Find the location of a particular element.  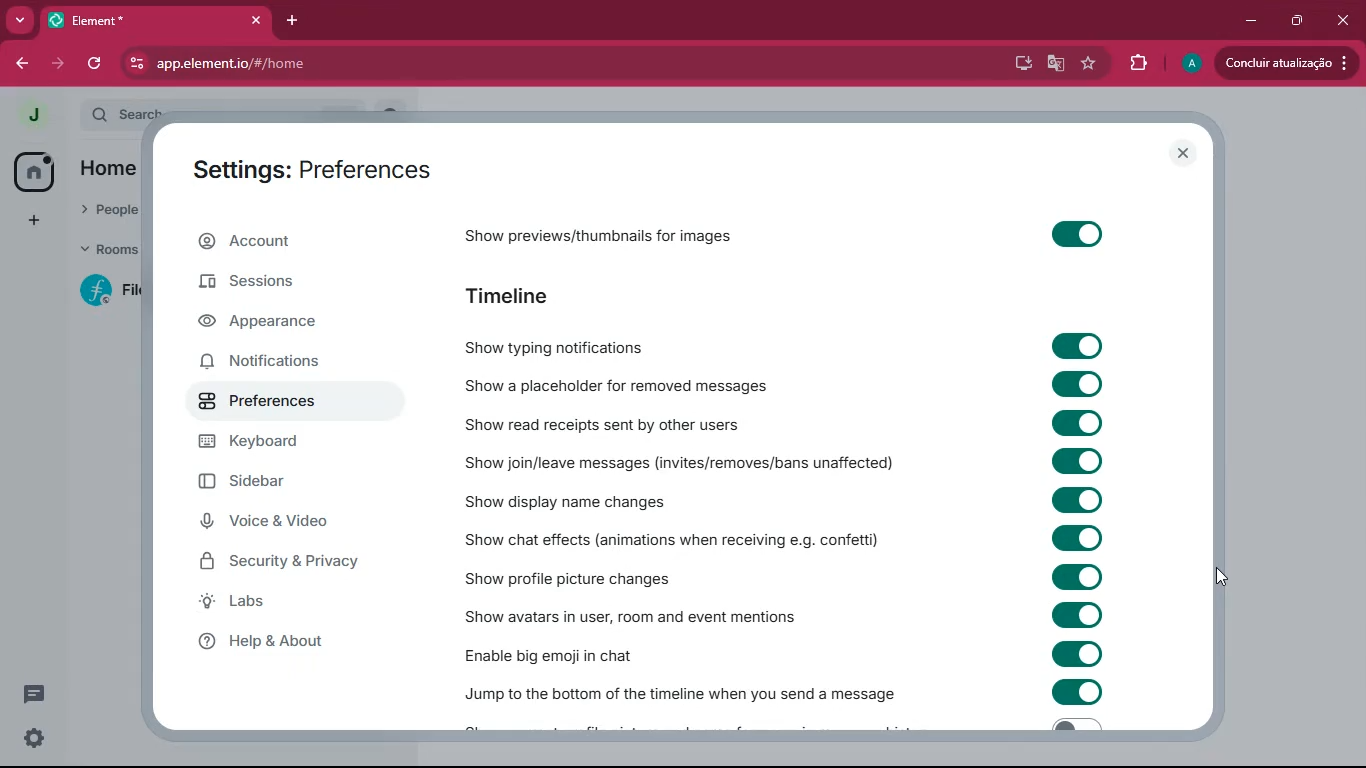

toggle on  is located at coordinates (1076, 654).